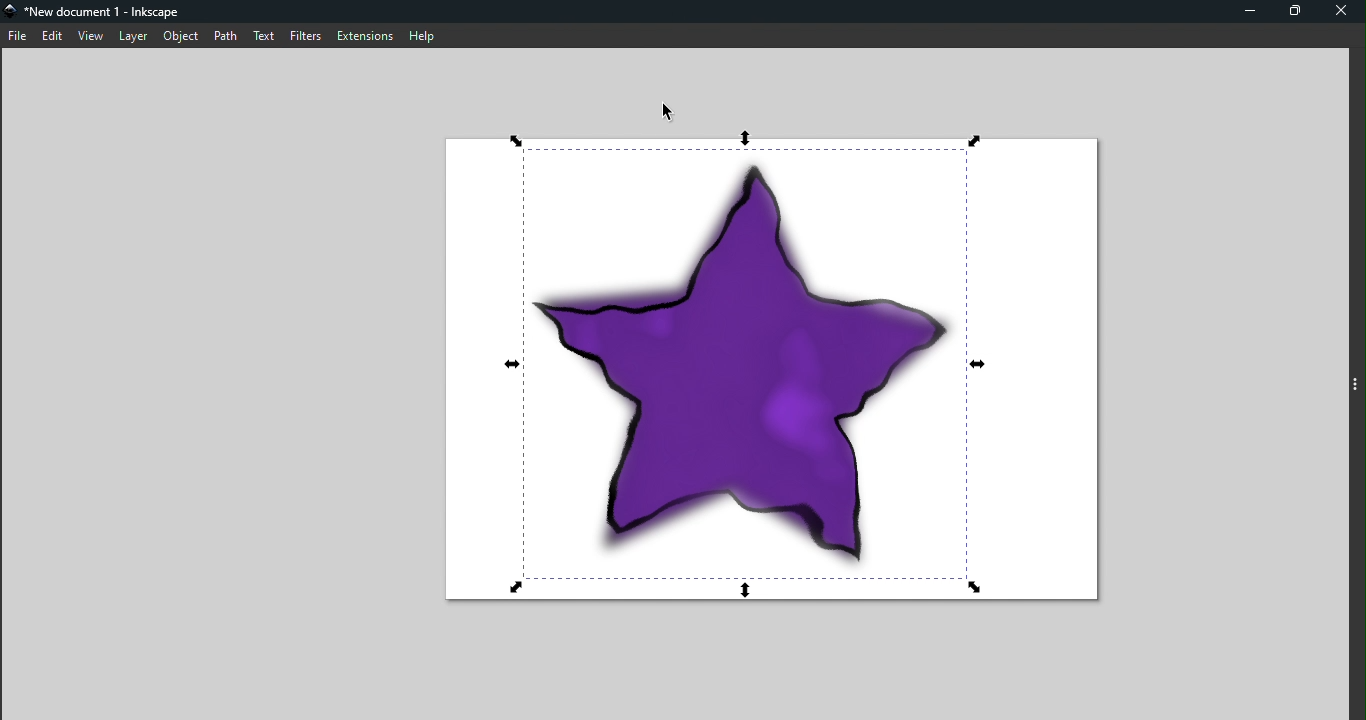 This screenshot has width=1366, height=720. I want to click on Close, so click(1340, 11).